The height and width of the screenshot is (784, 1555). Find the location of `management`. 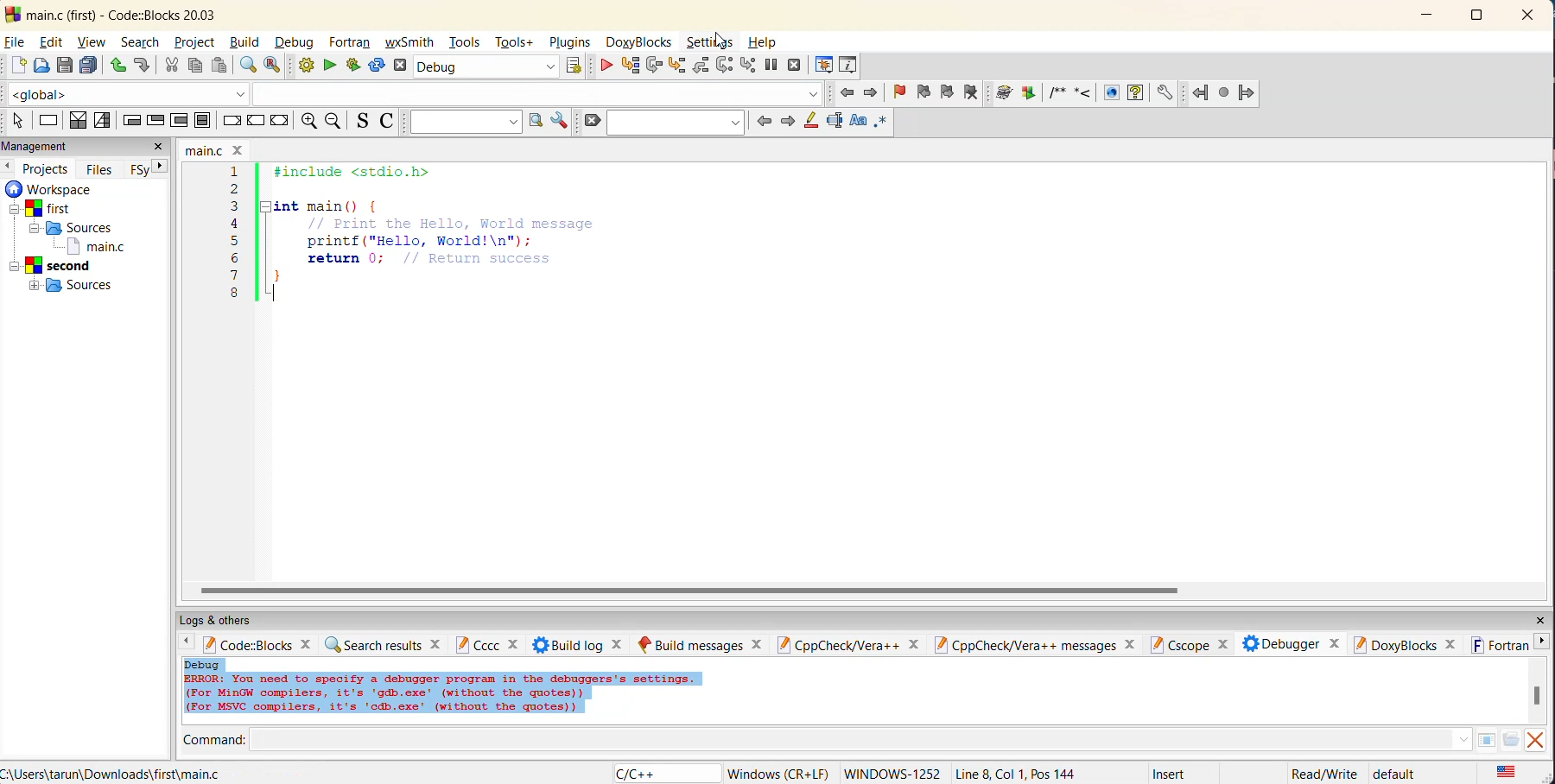

management is located at coordinates (38, 145).